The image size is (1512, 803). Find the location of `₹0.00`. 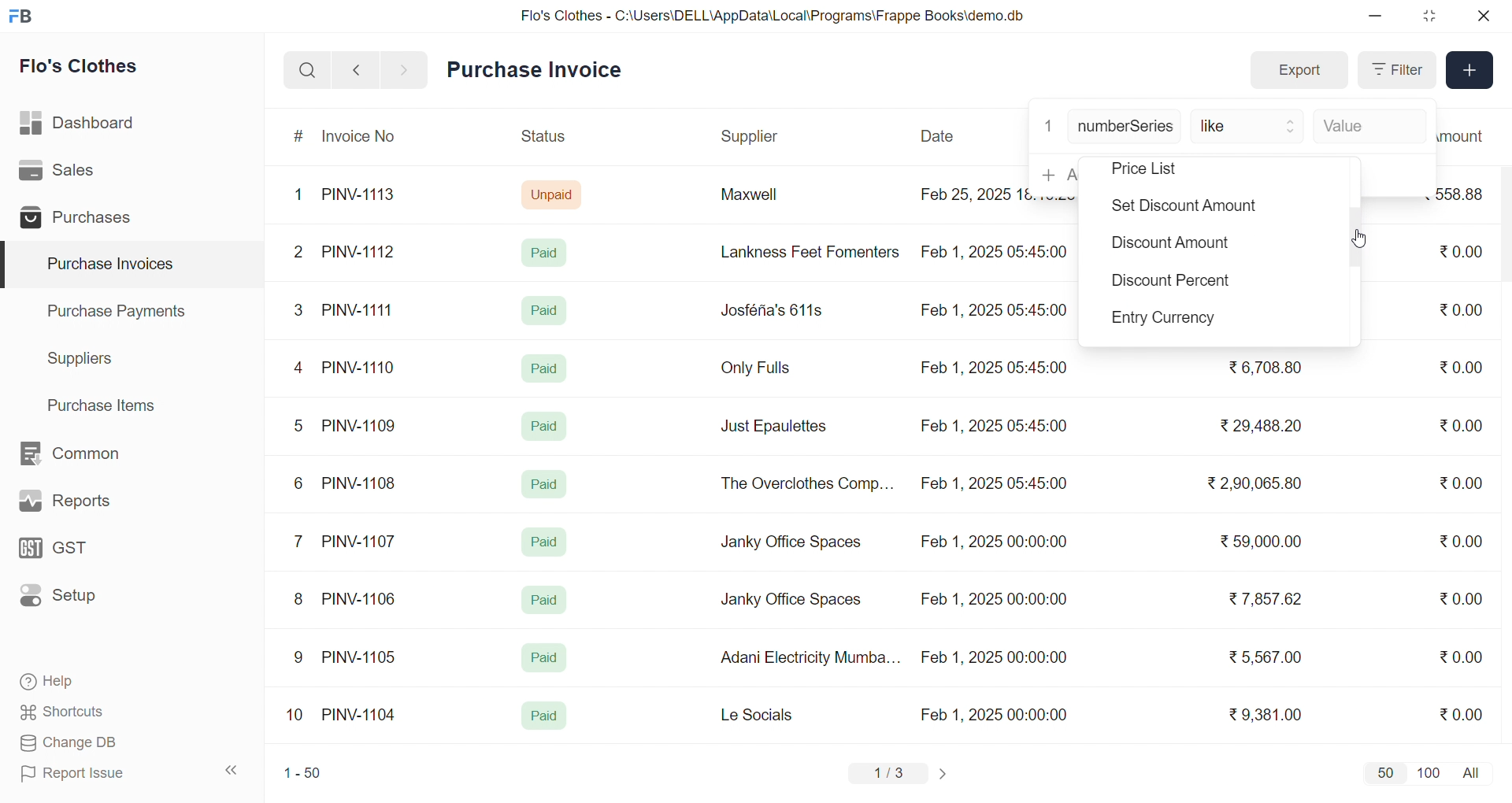

₹0.00 is located at coordinates (1460, 485).